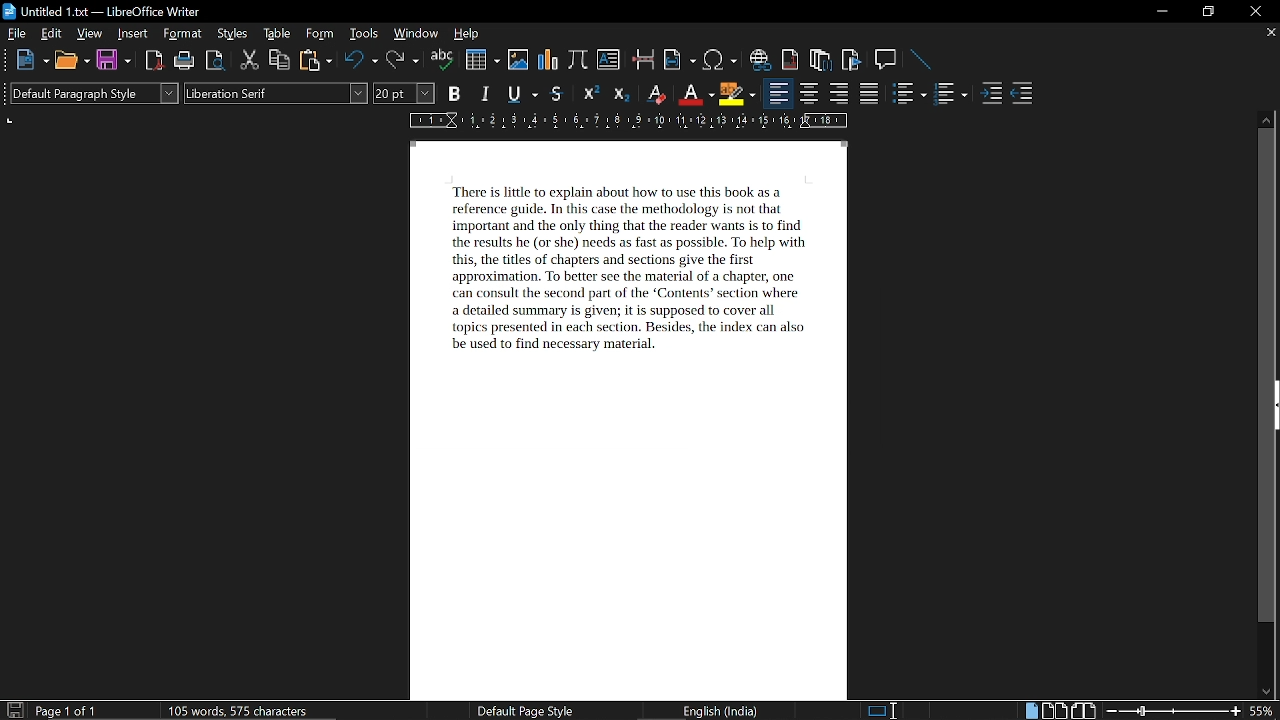 The width and height of the screenshot is (1280, 720). What do you see at coordinates (910, 92) in the screenshot?
I see `toggle ordered list` at bounding box center [910, 92].